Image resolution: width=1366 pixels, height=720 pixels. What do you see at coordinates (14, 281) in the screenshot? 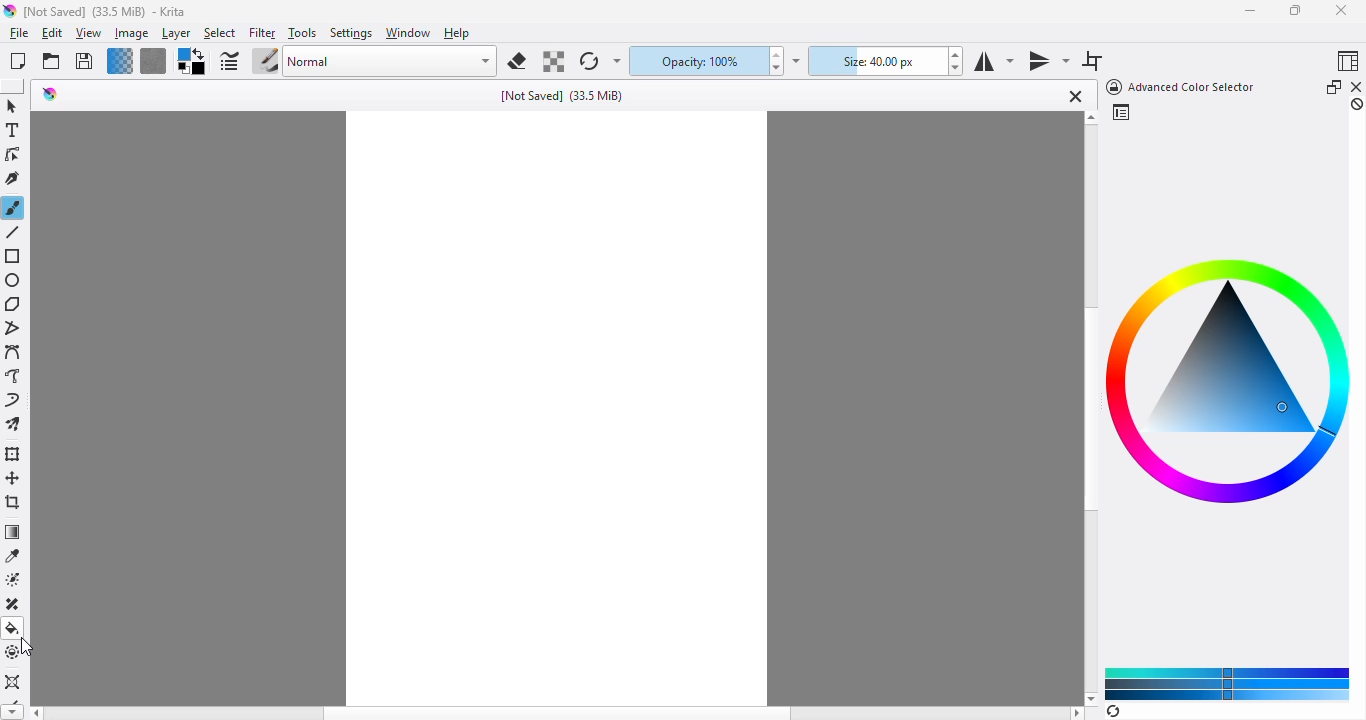
I see `ellipse tool` at bounding box center [14, 281].